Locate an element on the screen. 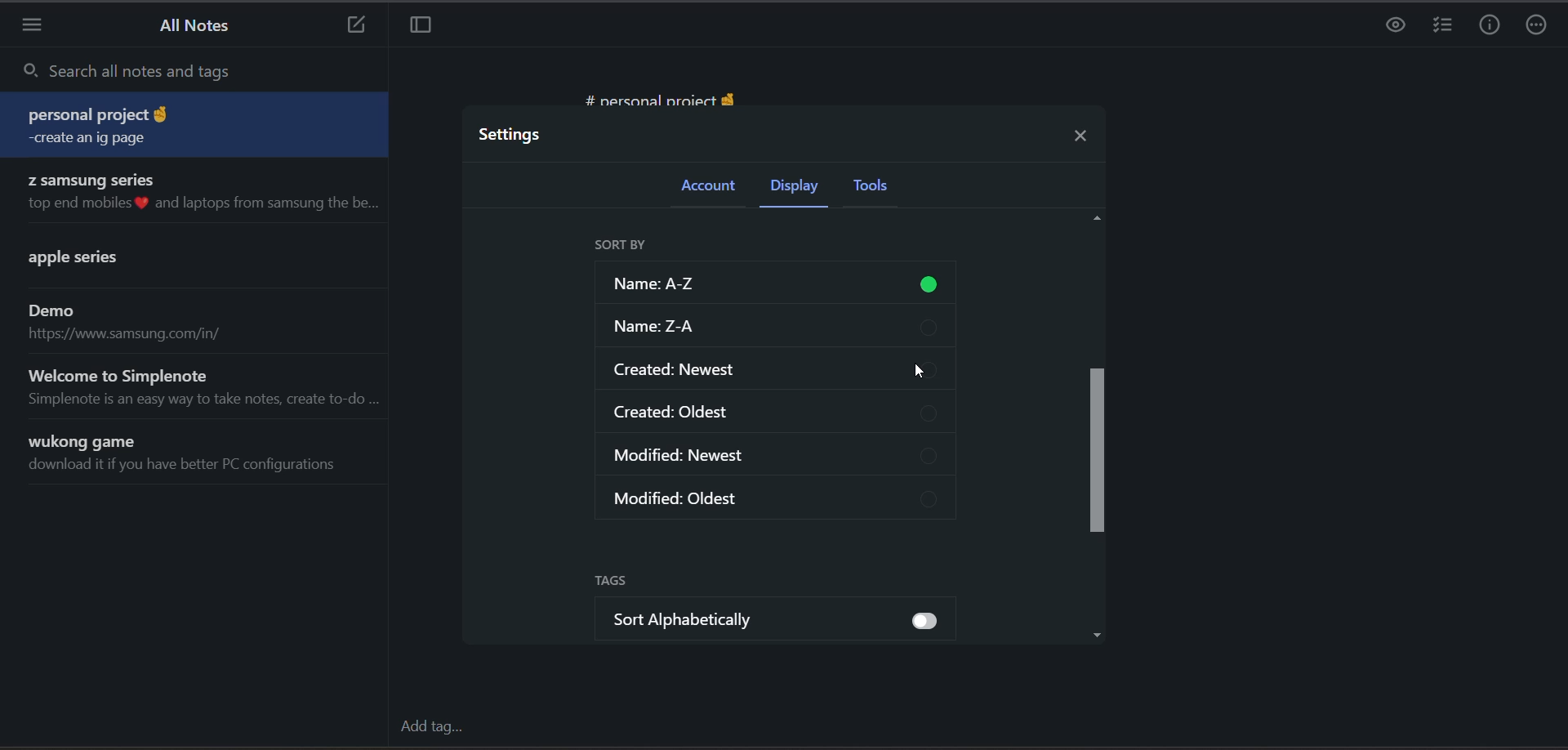 The image size is (1568, 750). new note is located at coordinates (353, 25).